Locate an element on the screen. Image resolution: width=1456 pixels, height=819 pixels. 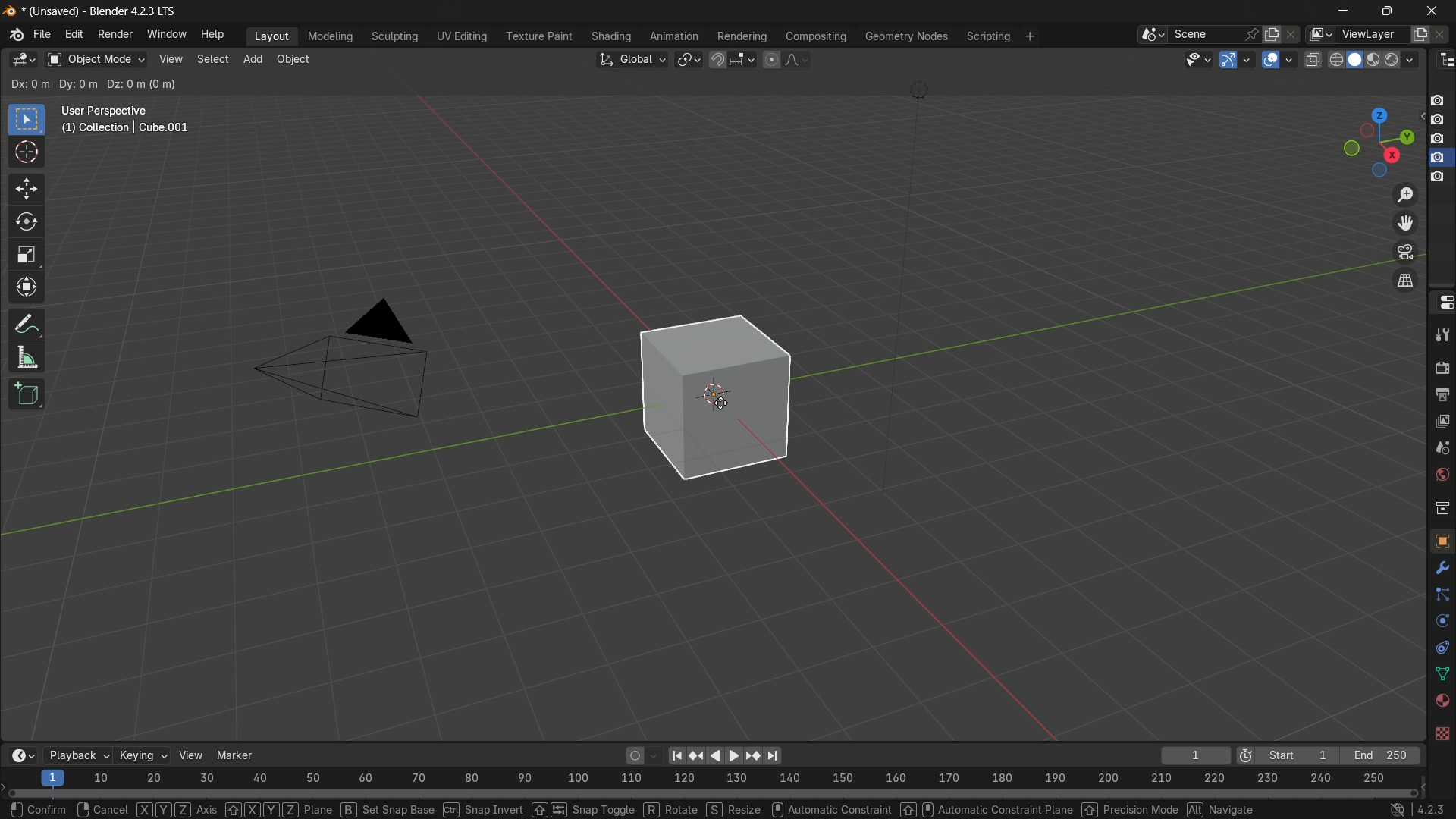
Cancel is located at coordinates (100, 808).